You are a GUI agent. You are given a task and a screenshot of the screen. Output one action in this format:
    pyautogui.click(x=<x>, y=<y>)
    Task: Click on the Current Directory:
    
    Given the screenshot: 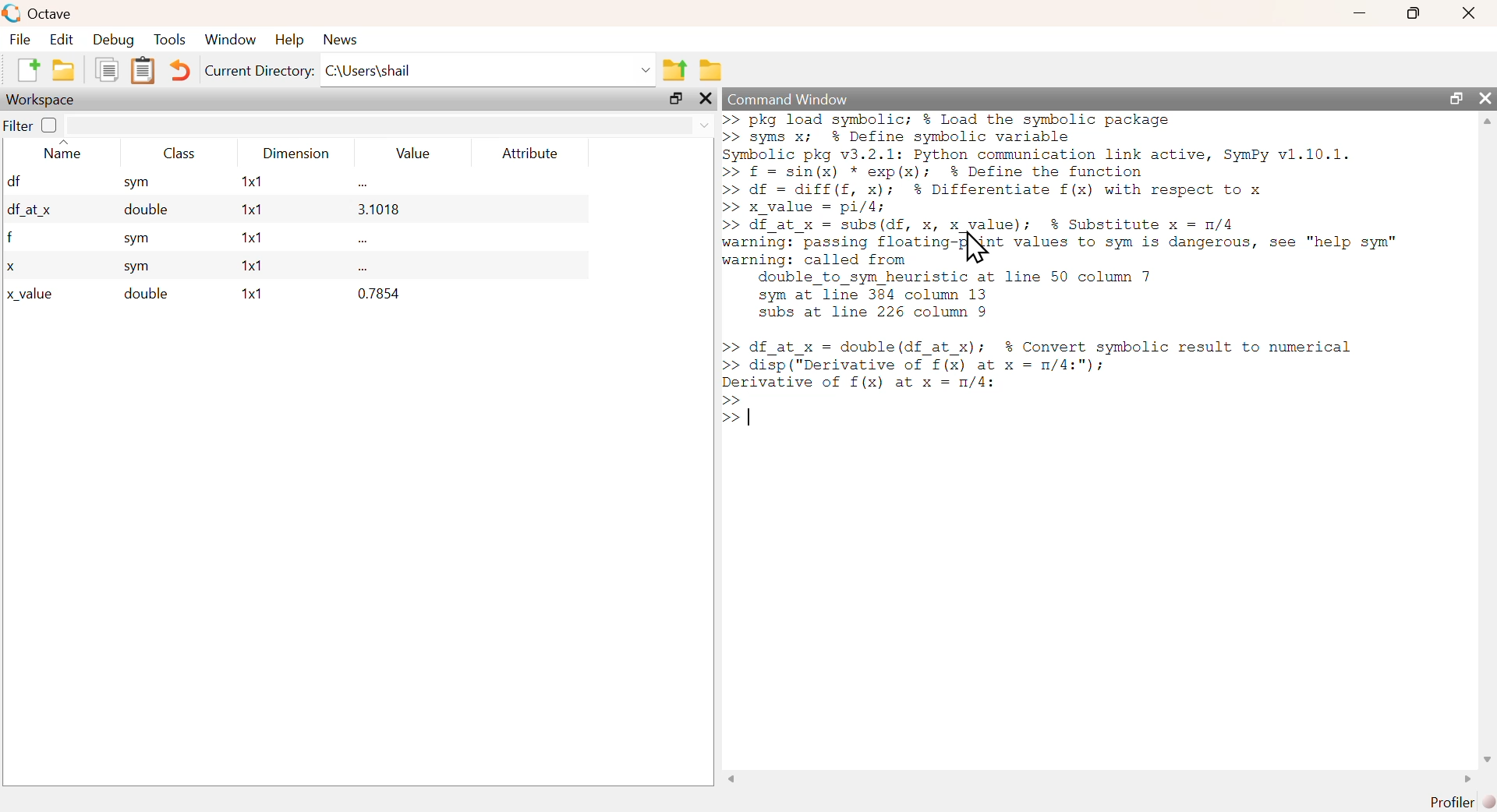 What is the action you would take?
    pyautogui.click(x=259, y=70)
    